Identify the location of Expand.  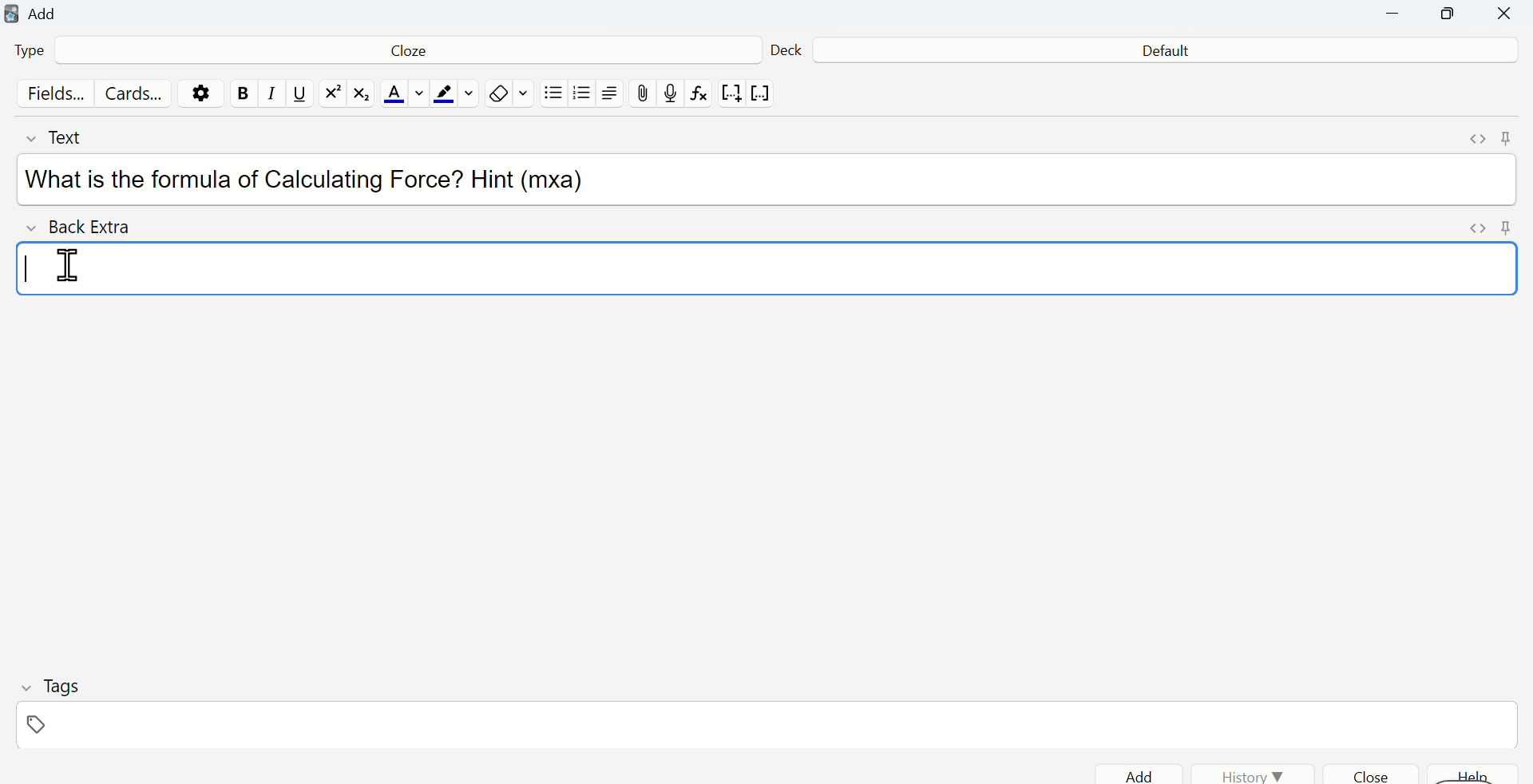
(1476, 228).